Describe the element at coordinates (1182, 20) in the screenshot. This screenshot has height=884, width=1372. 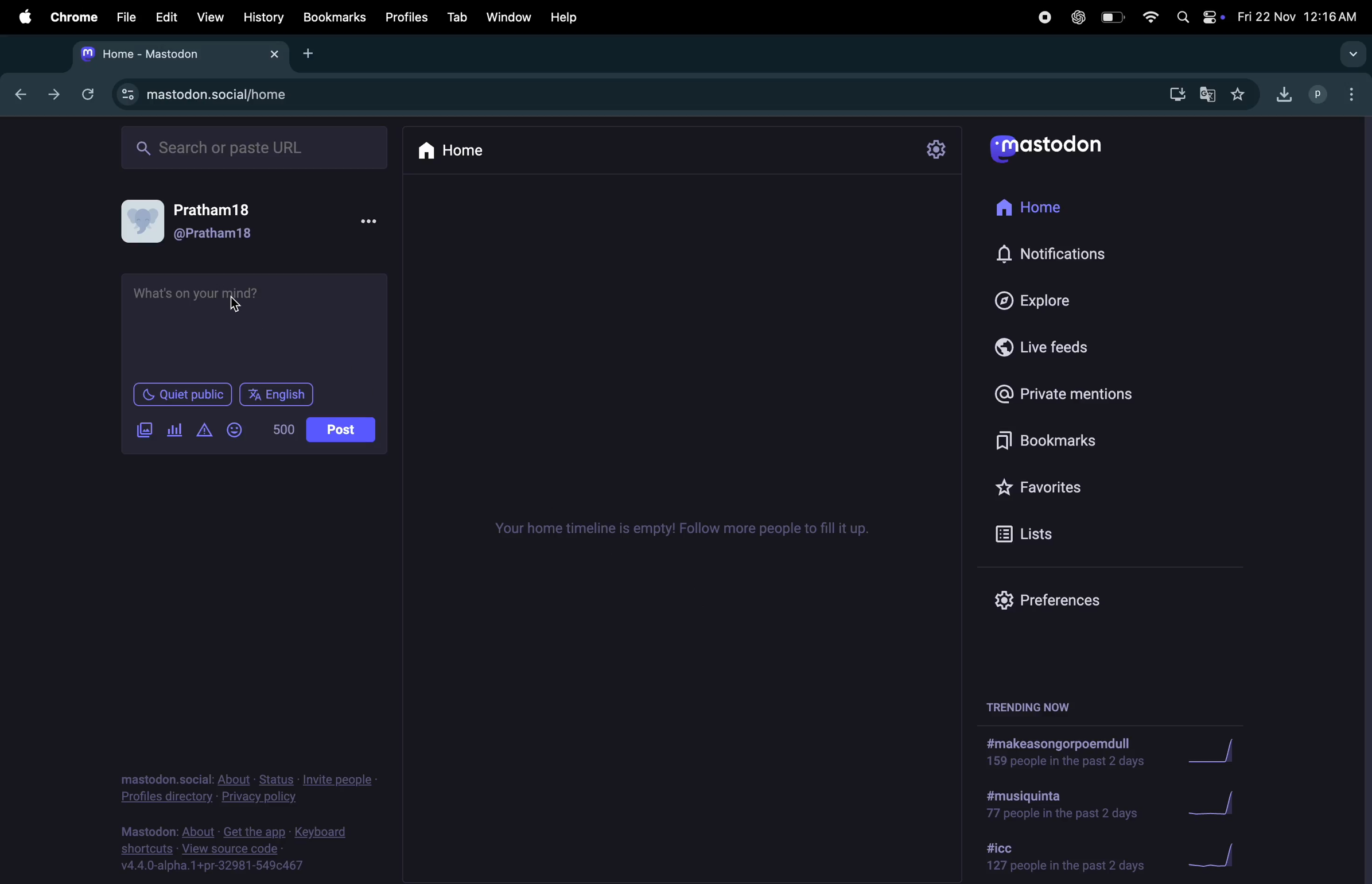
I see `spotlight search` at that location.